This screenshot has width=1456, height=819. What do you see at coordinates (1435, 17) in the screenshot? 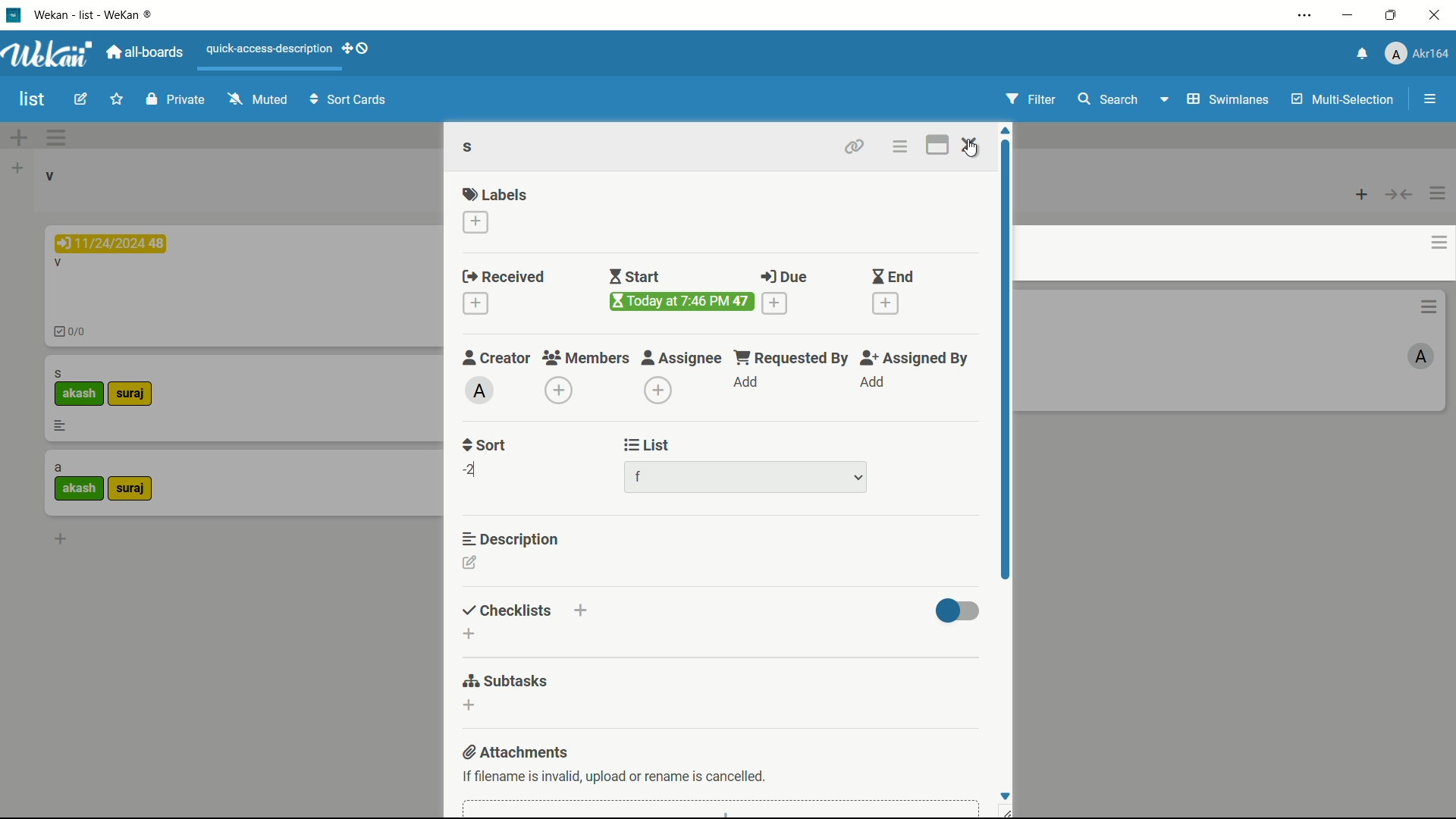
I see `close app` at bounding box center [1435, 17].